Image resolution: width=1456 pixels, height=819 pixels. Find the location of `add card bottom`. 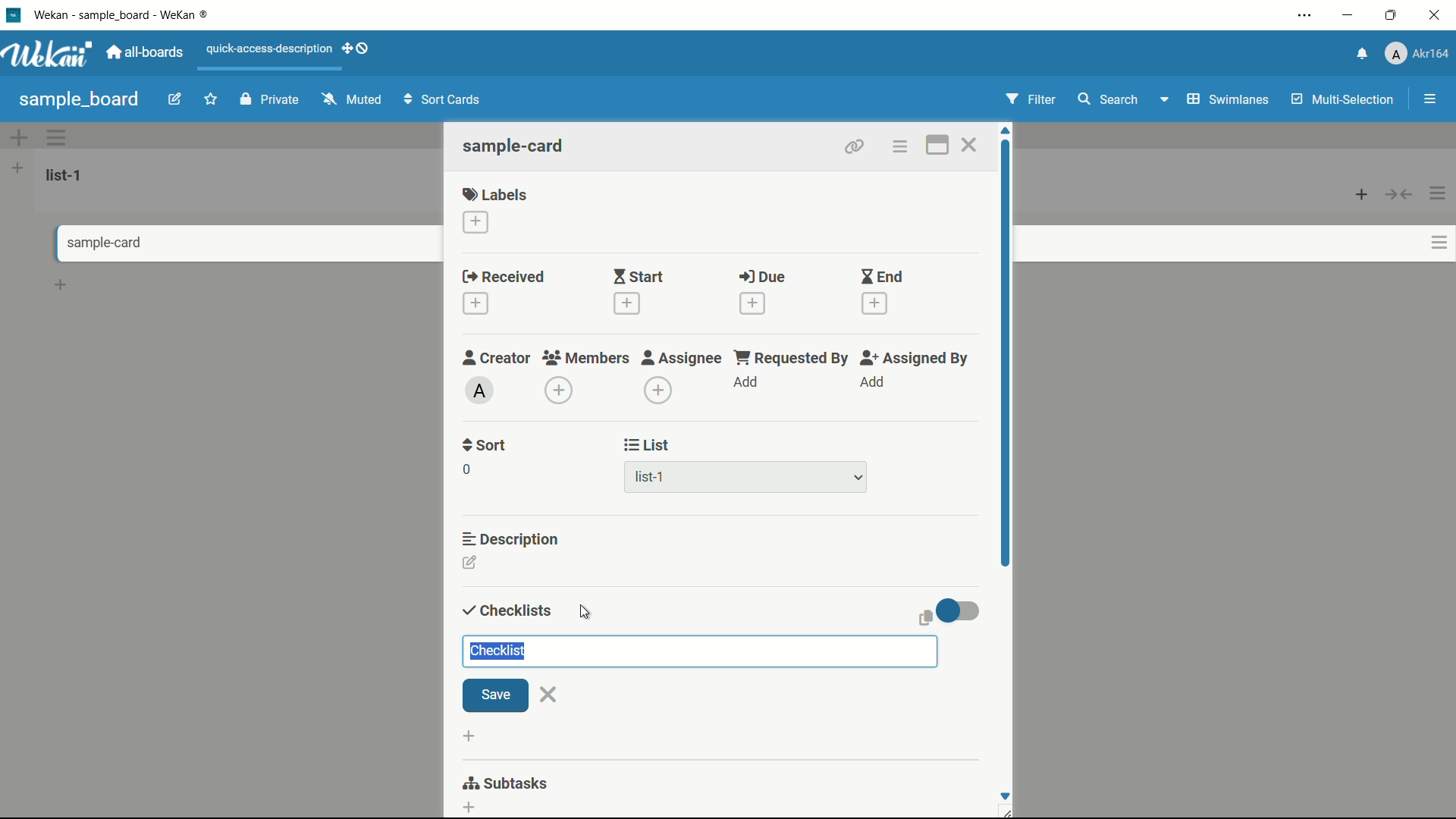

add card bottom is located at coordinates (61, 285).